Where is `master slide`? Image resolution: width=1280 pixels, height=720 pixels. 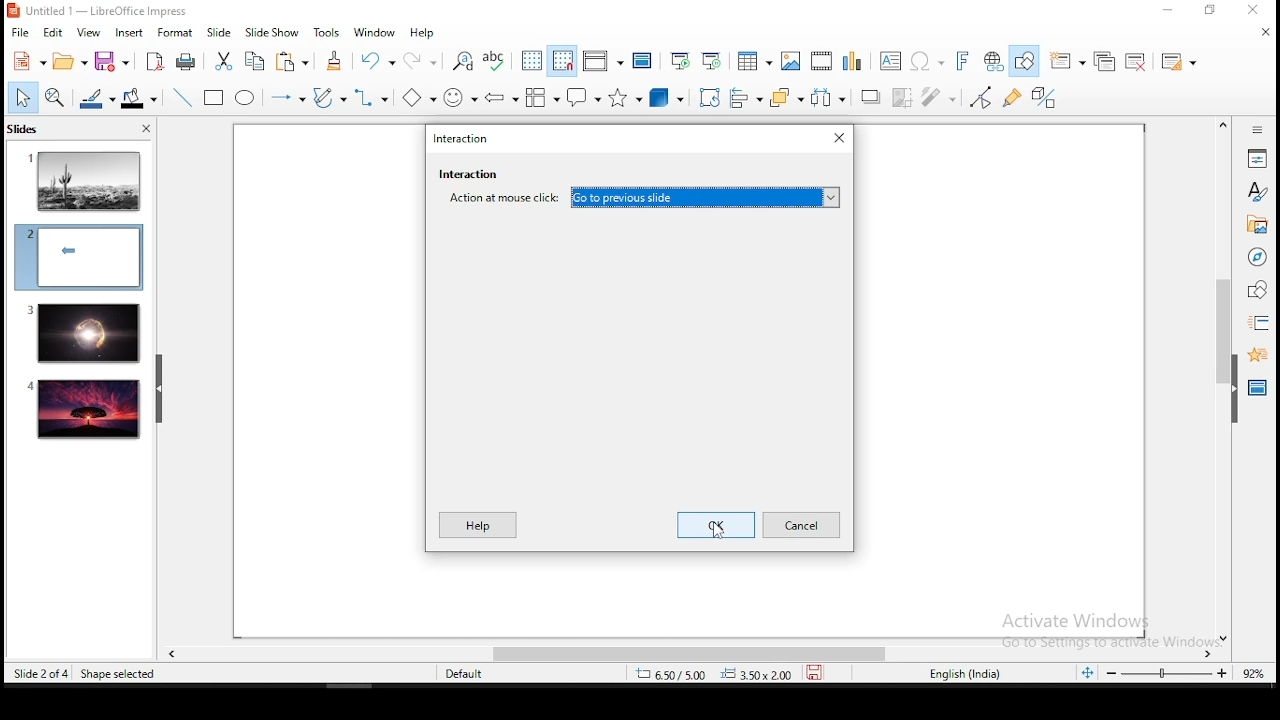
master slide is located at coordinates (642, 60).